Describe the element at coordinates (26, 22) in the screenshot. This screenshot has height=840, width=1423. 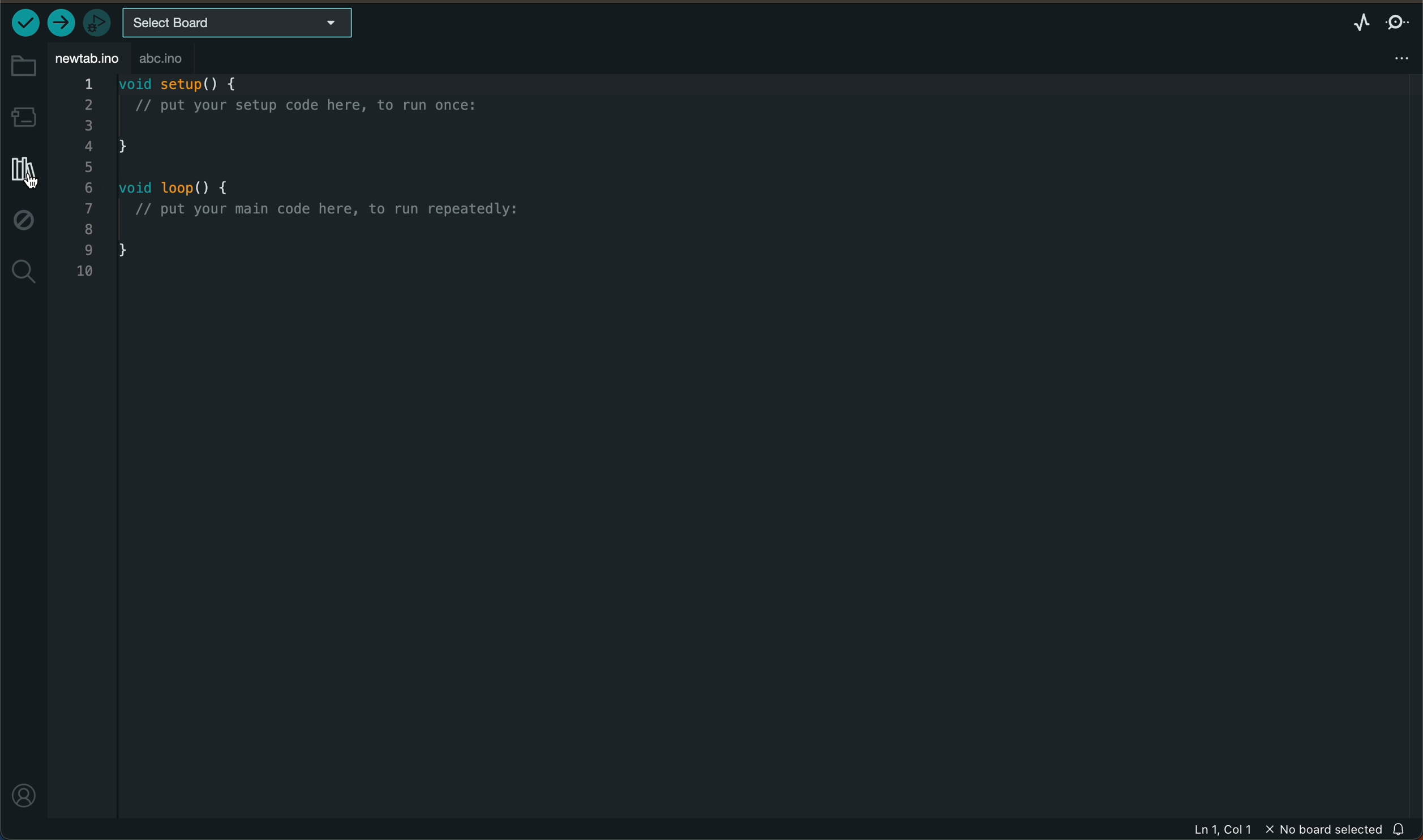
I see `verify` at that location.